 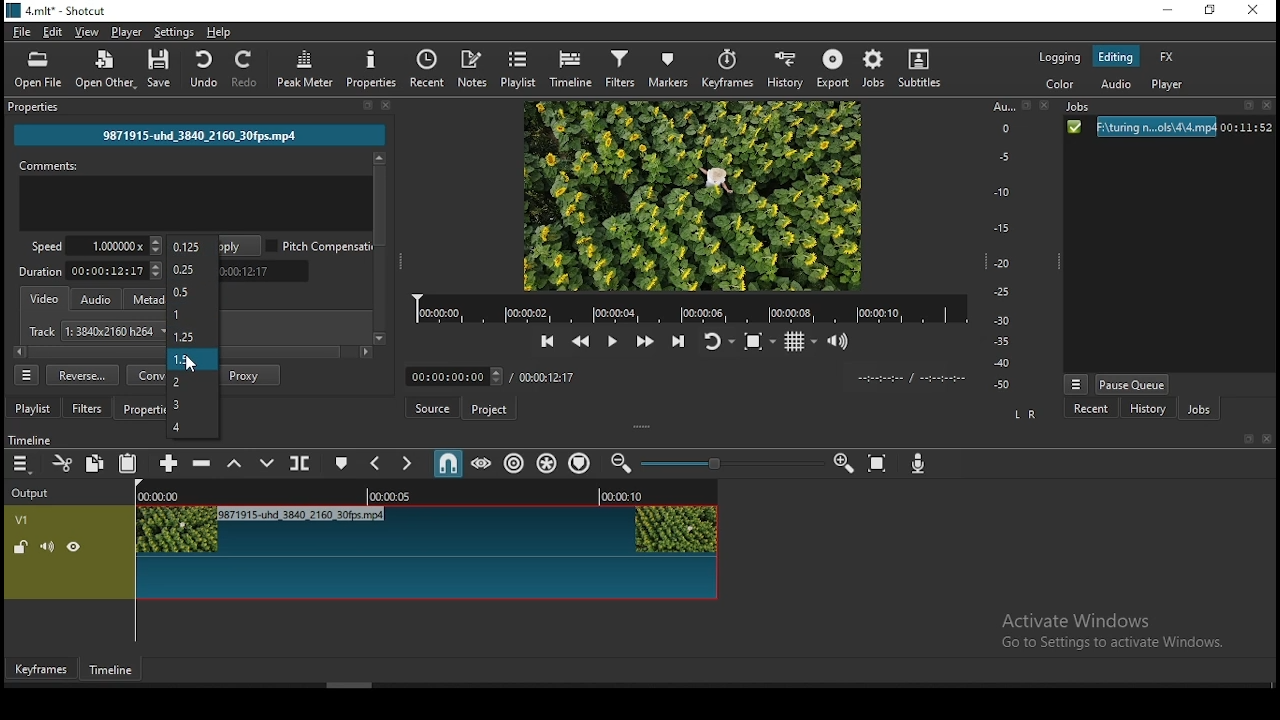 What do you see at coordinates (378, 249) in the screenshot?
I see `scroll bar` at bounding box center [378, 249].